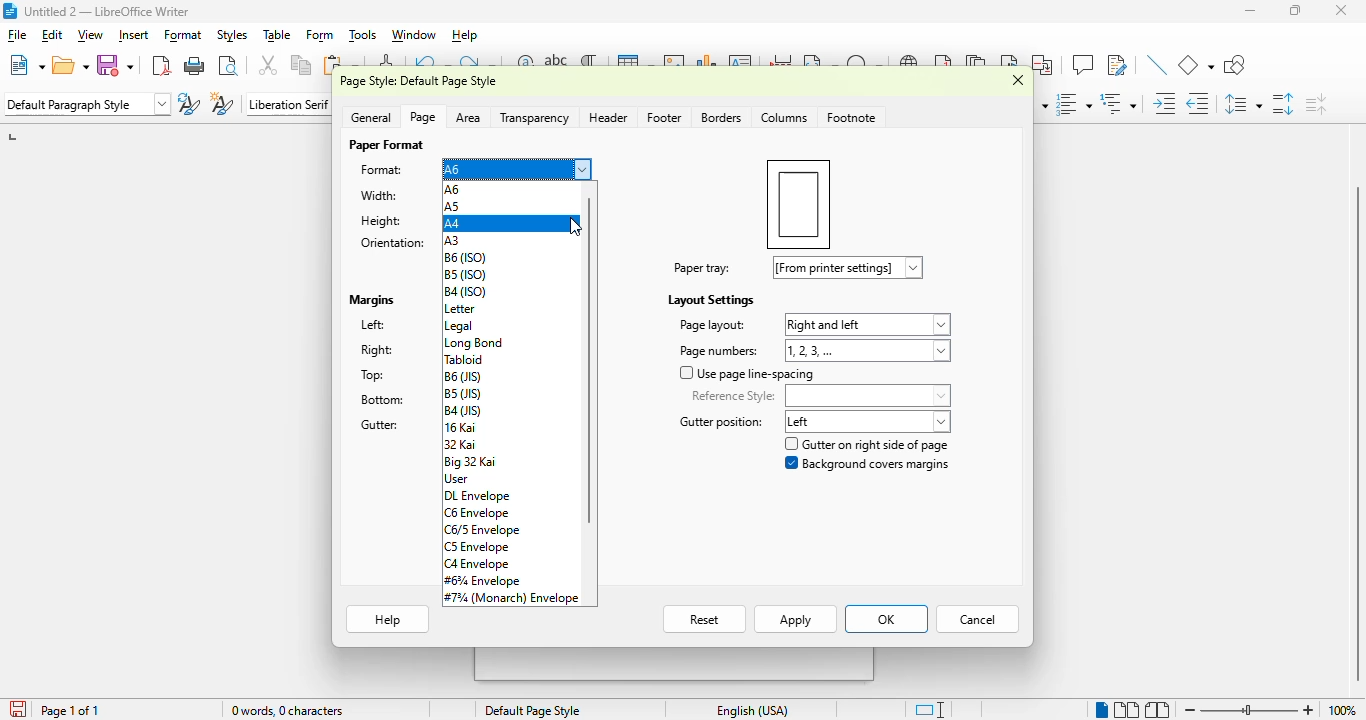 The image size is (1366, 720). I want to click on reference style: , so click(820, 396).